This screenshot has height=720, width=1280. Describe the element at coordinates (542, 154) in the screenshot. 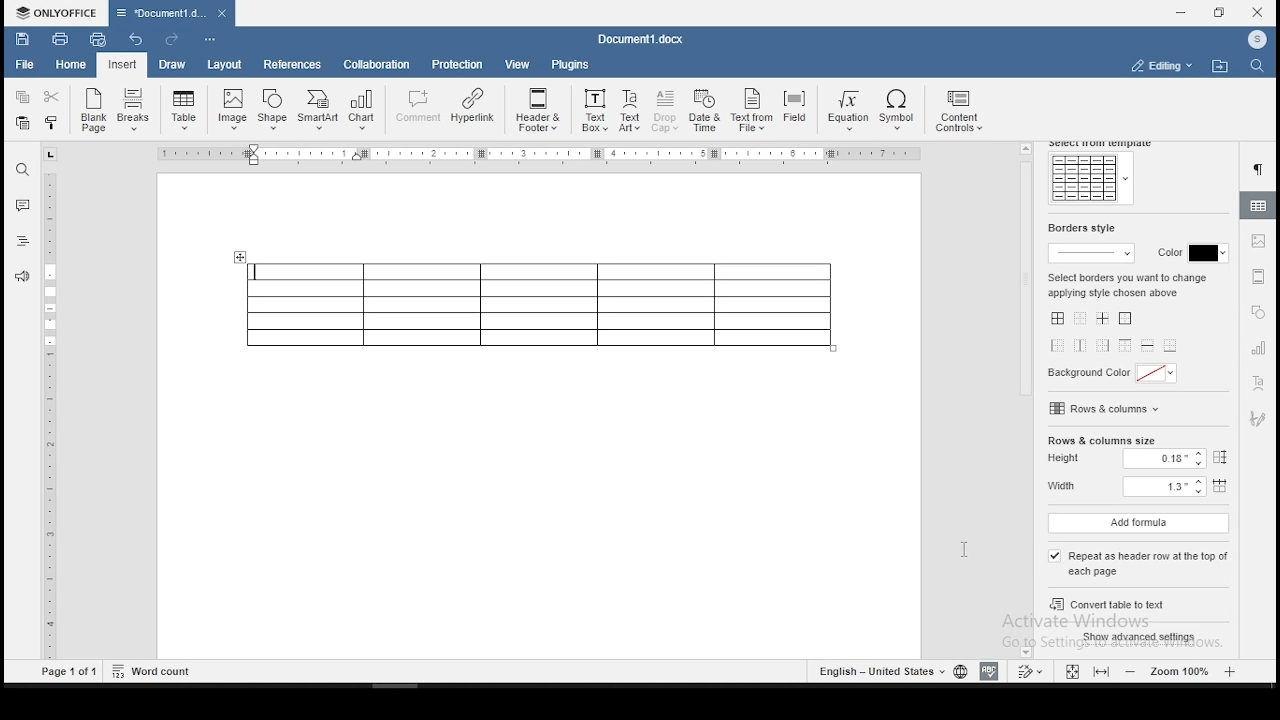

I see `Ruler` at that location.